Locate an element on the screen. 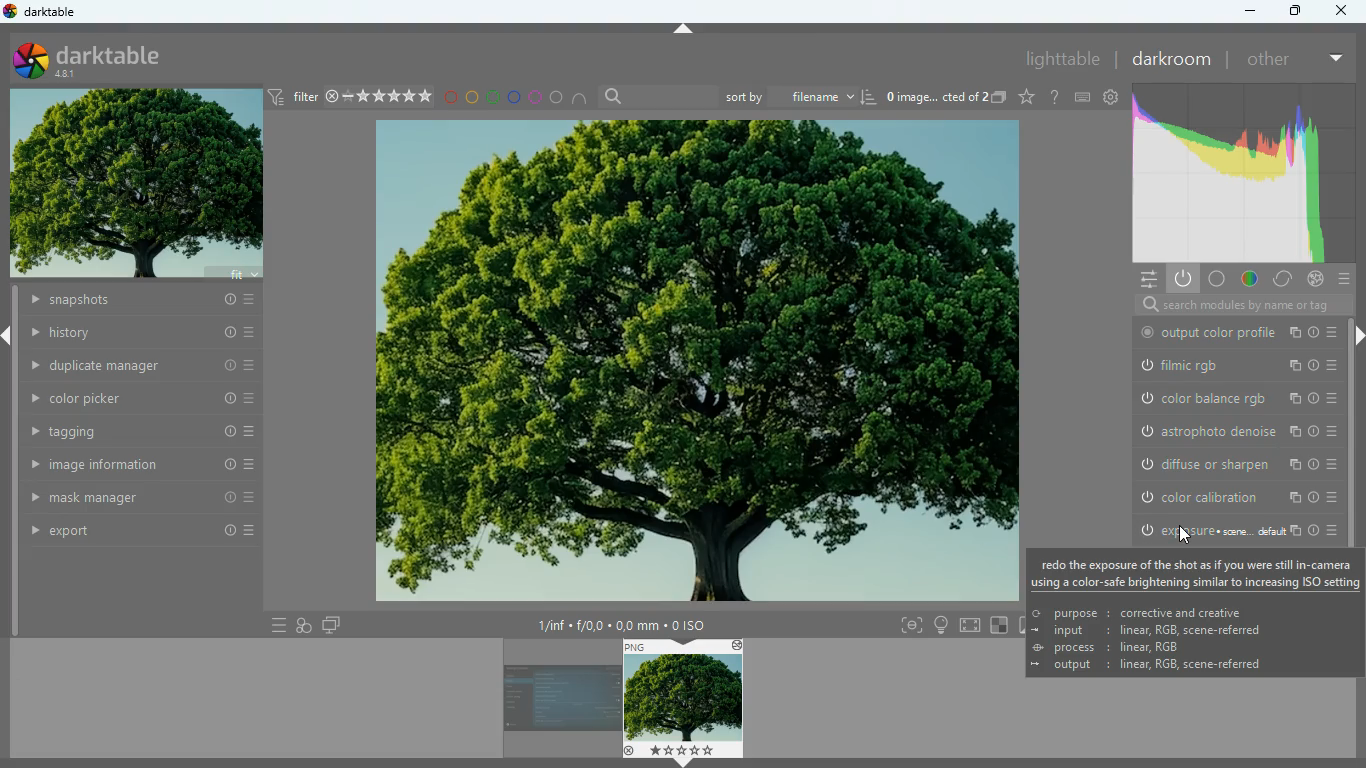  menu is located at coordinates (1344, 278).